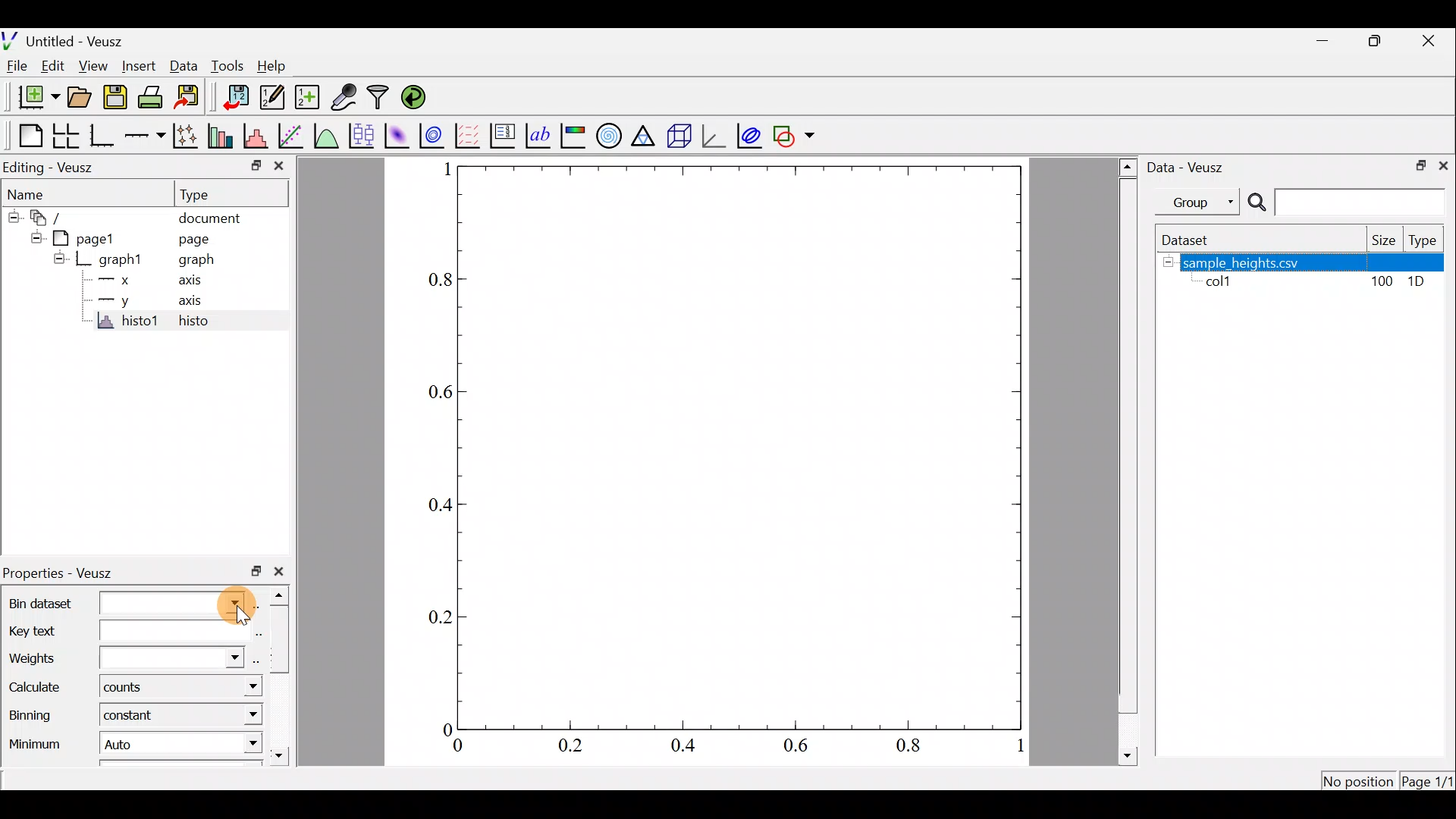 The image size is (1456, 819). Describe the element at coordinates (1315, 262) in the screenshot. I see `sample heights.csv` at that location.